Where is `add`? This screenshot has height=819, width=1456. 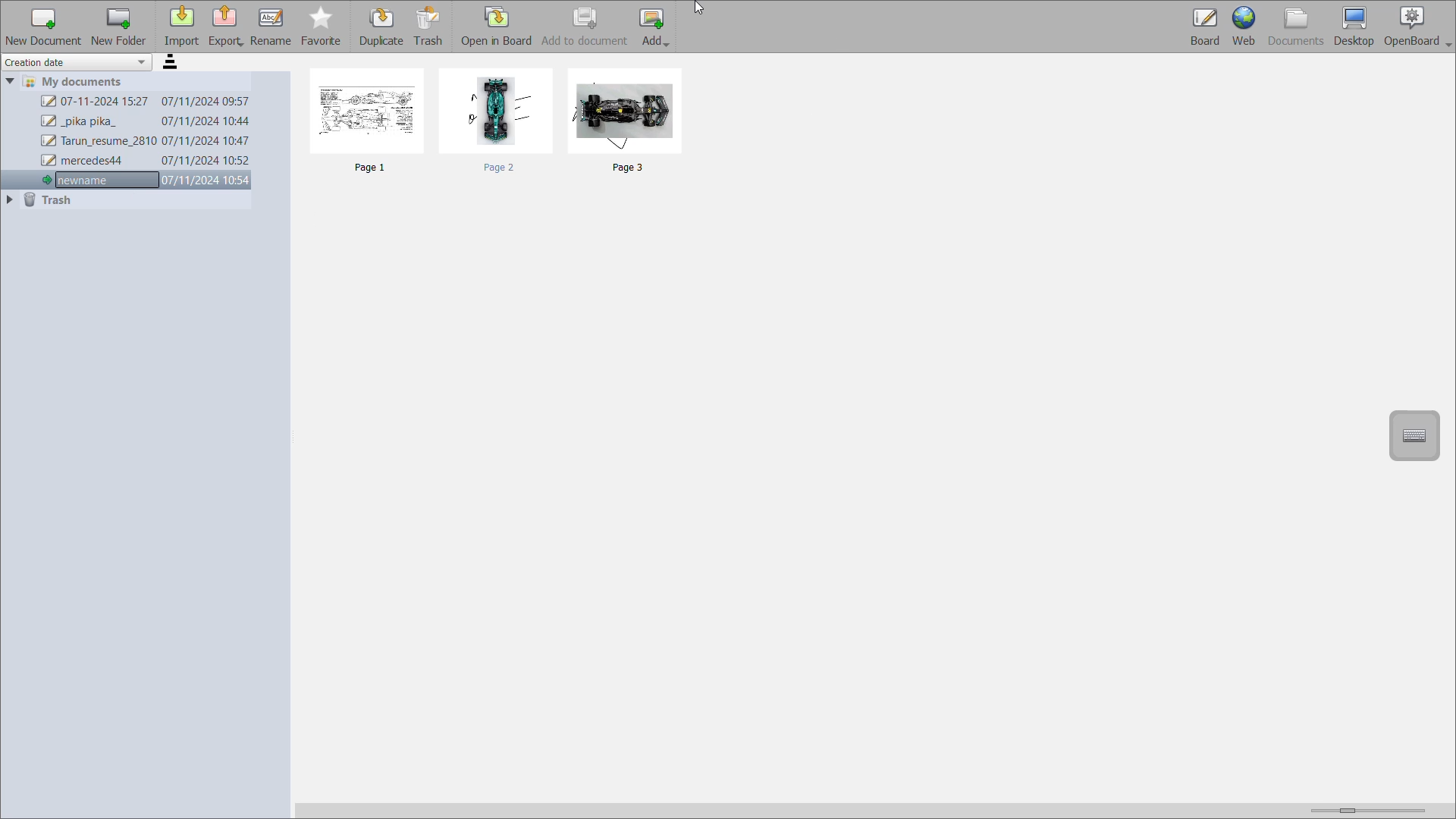
add is located at coordinates (656, 27).